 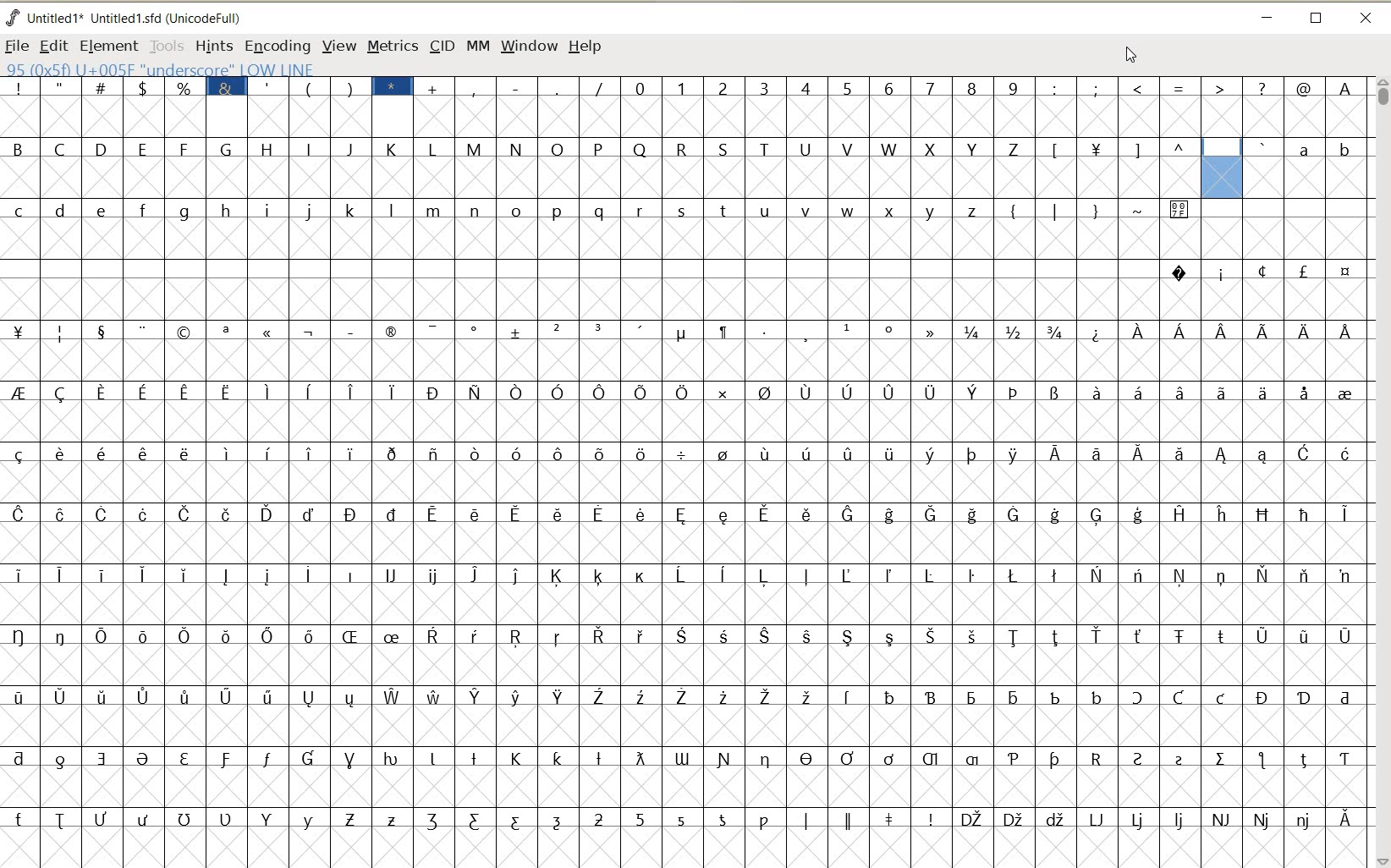 I want to click on GLYPHY CHARACTERS, so click(x=1311, y=167).